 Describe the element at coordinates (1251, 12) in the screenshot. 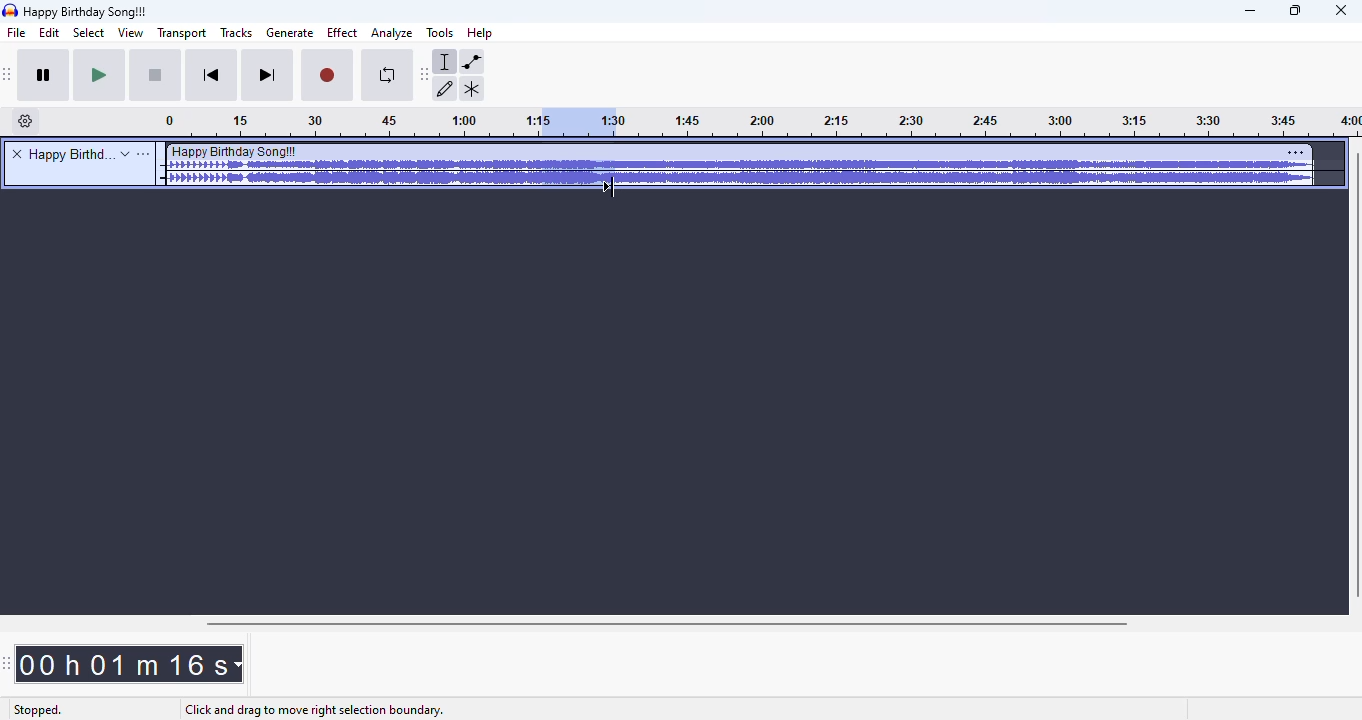

I see `minimize` at that location.